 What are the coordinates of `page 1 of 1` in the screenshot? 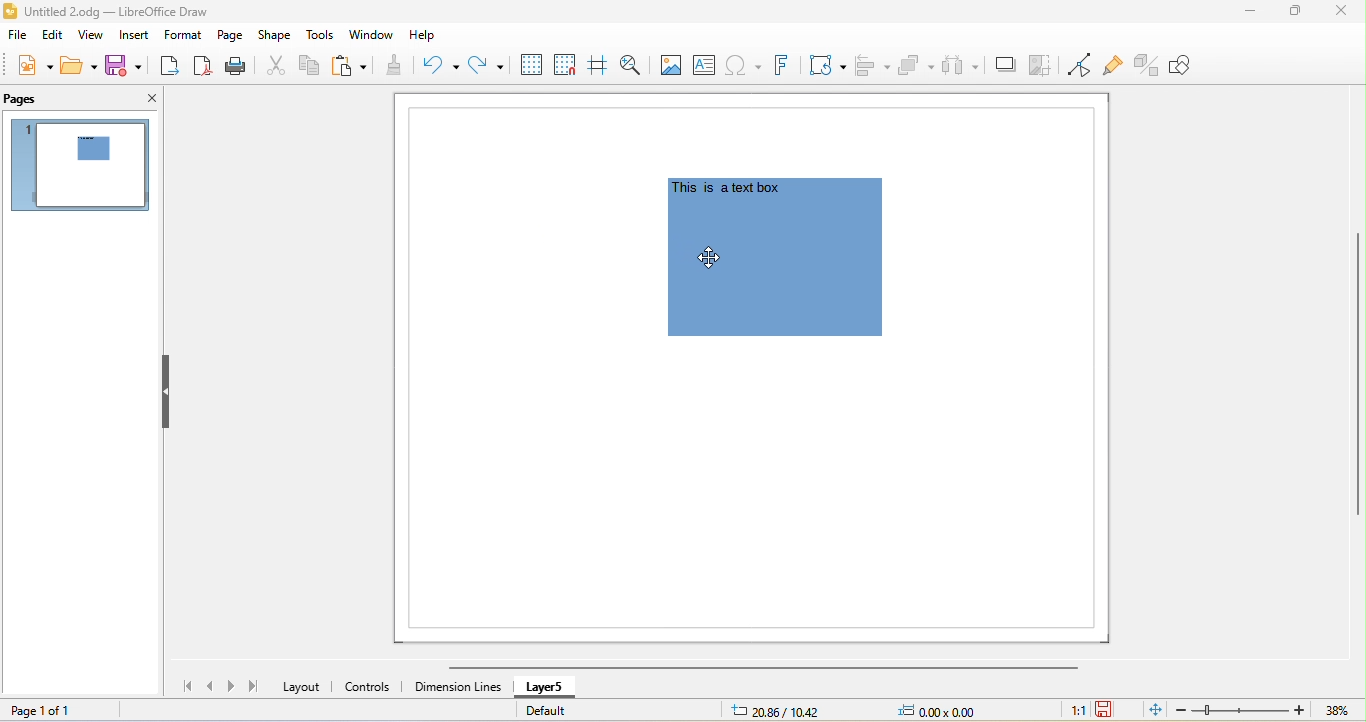 It's located at (40, 710).